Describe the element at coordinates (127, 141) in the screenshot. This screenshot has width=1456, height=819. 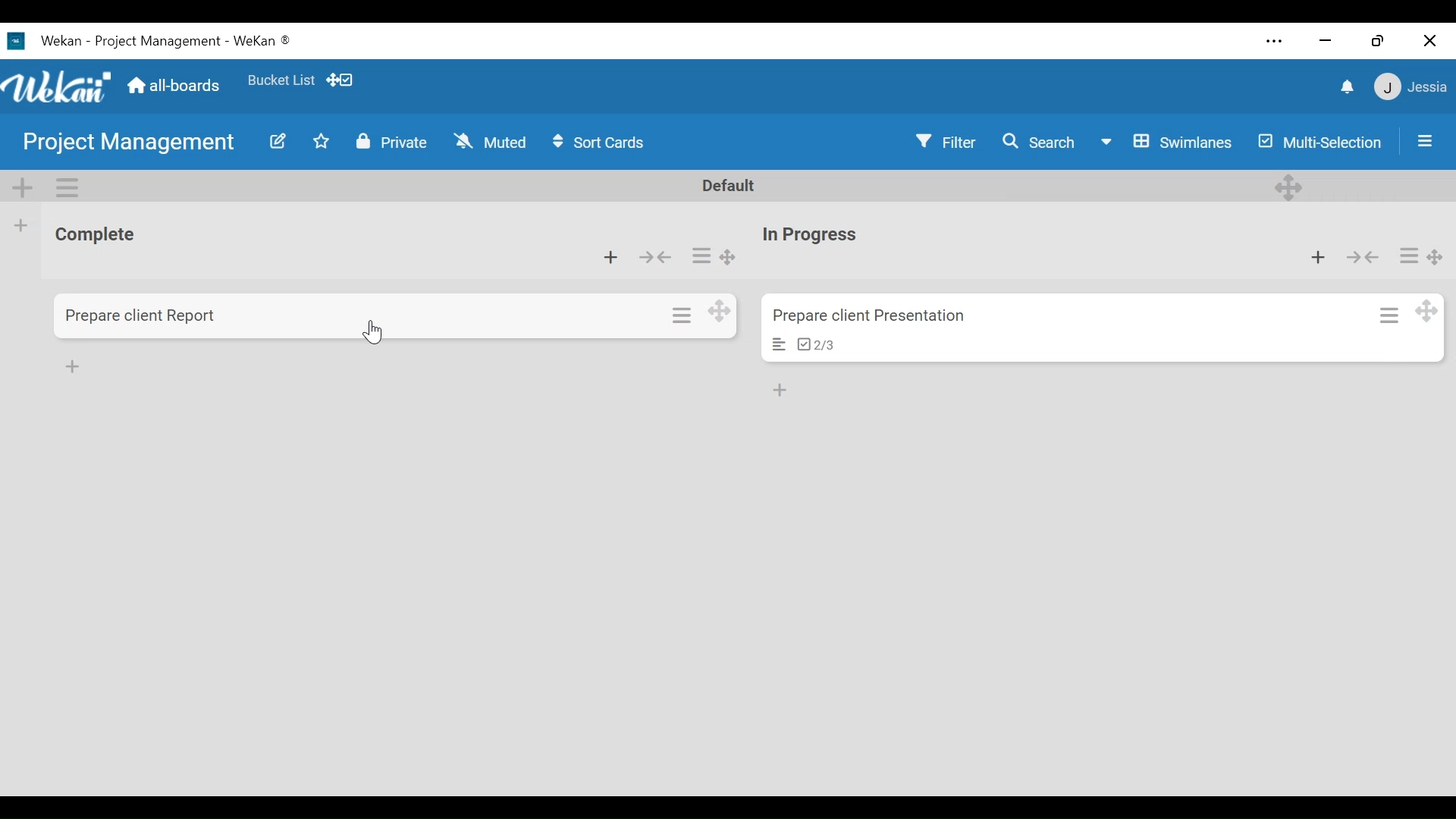
I see `Board Title` at that location.